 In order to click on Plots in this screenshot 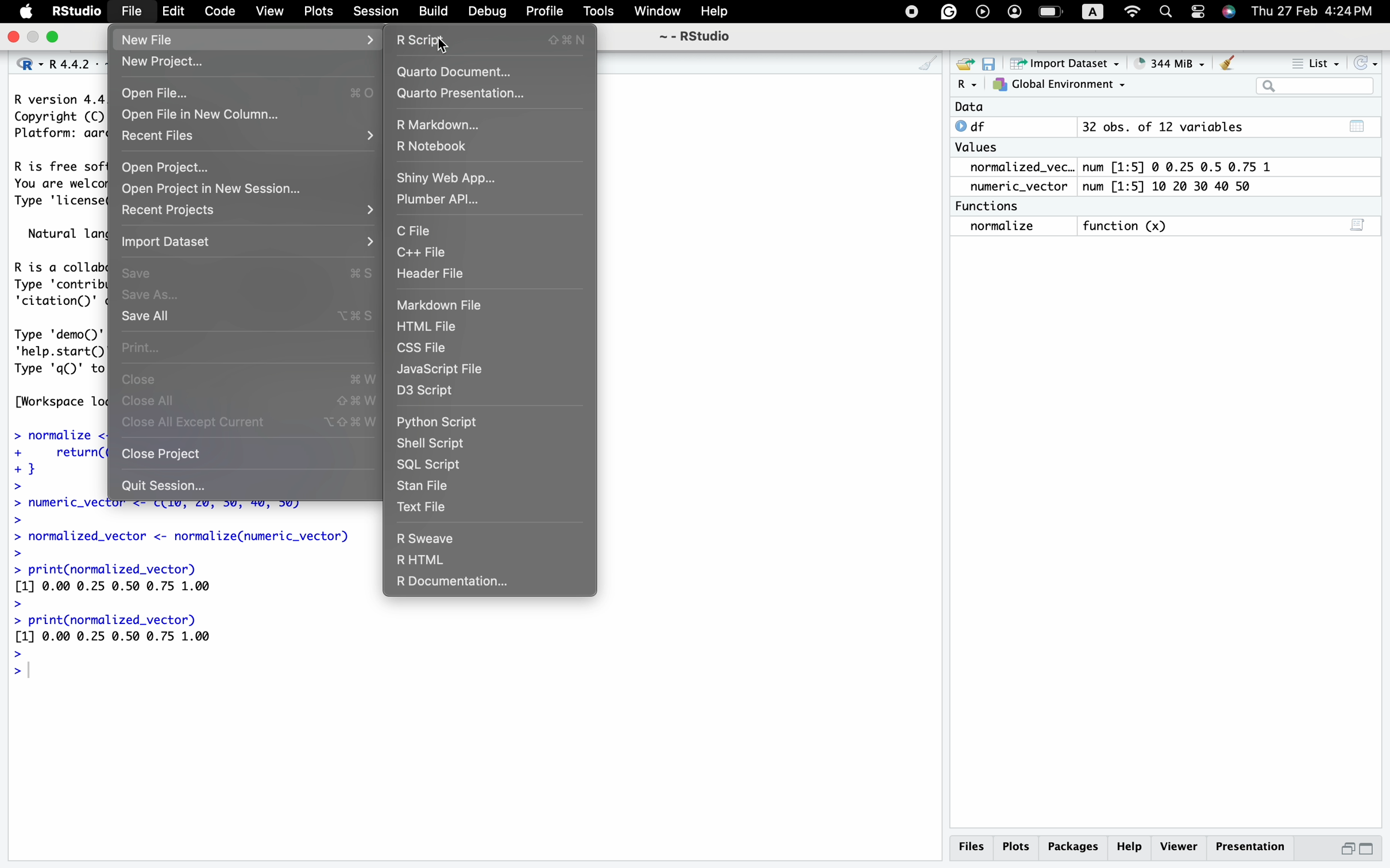, I will do `click(318, 13)`.